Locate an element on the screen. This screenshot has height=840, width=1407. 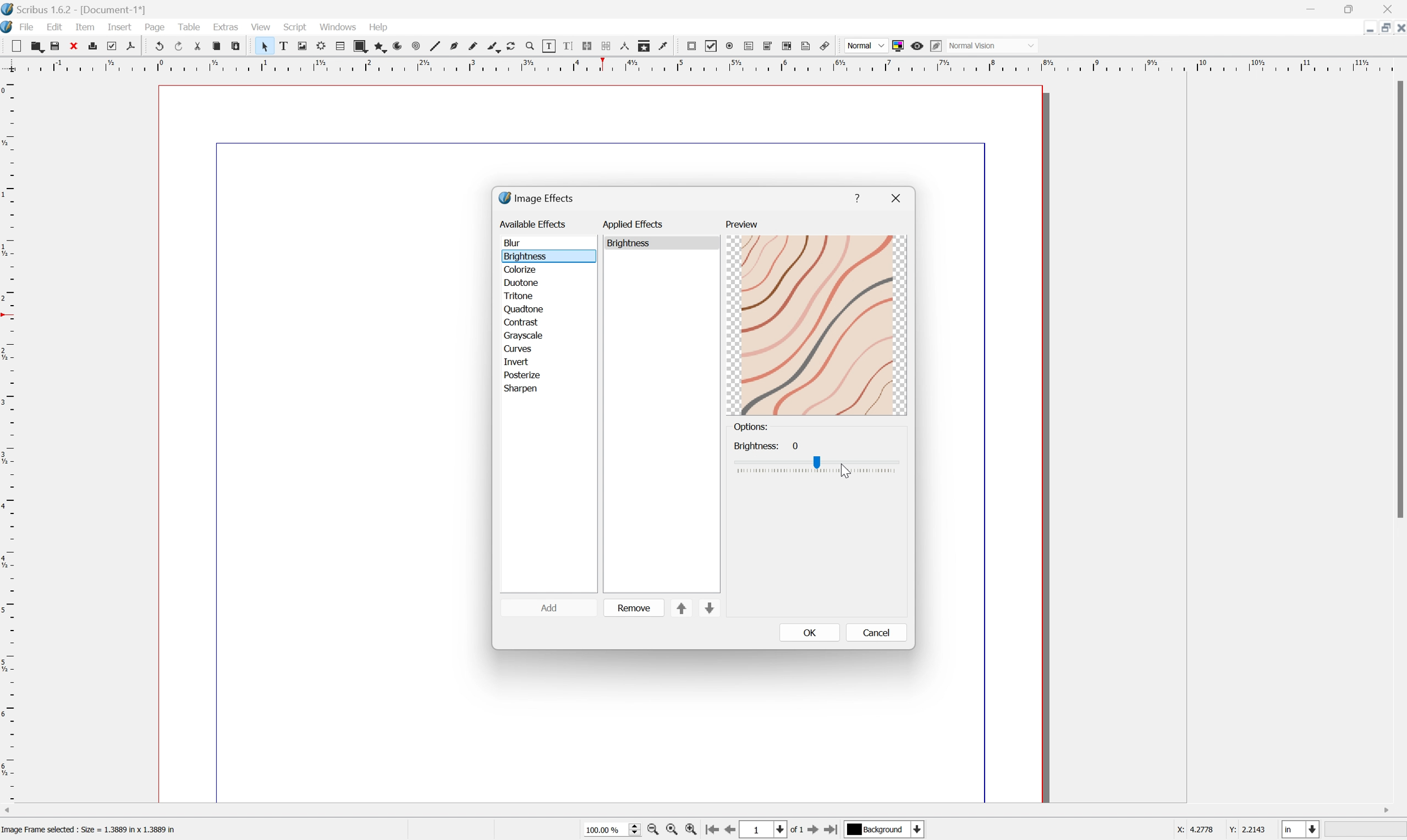
sort is located at coordinates (698, 608).